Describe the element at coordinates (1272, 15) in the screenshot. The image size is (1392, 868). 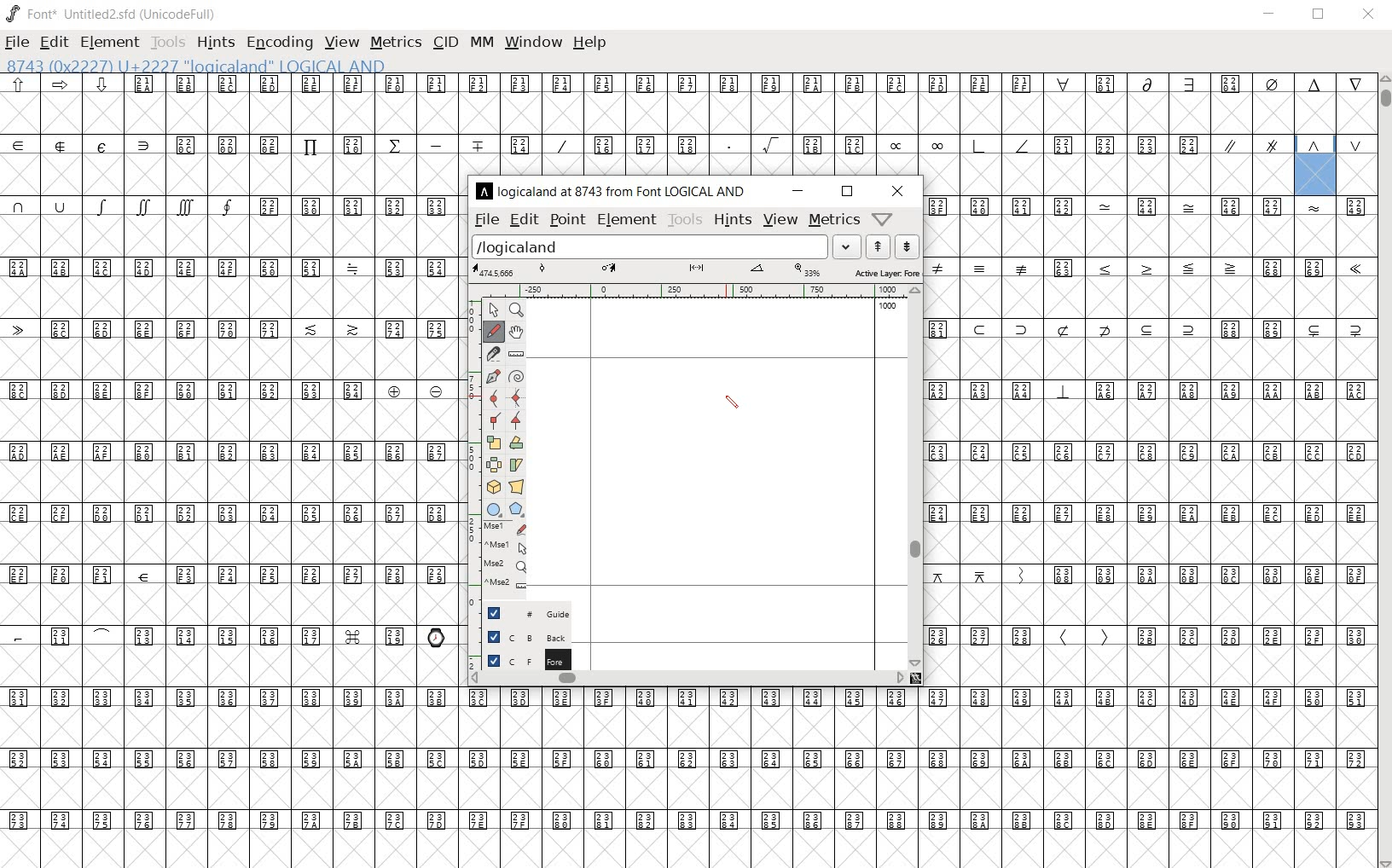
I see `minimize` at that location.